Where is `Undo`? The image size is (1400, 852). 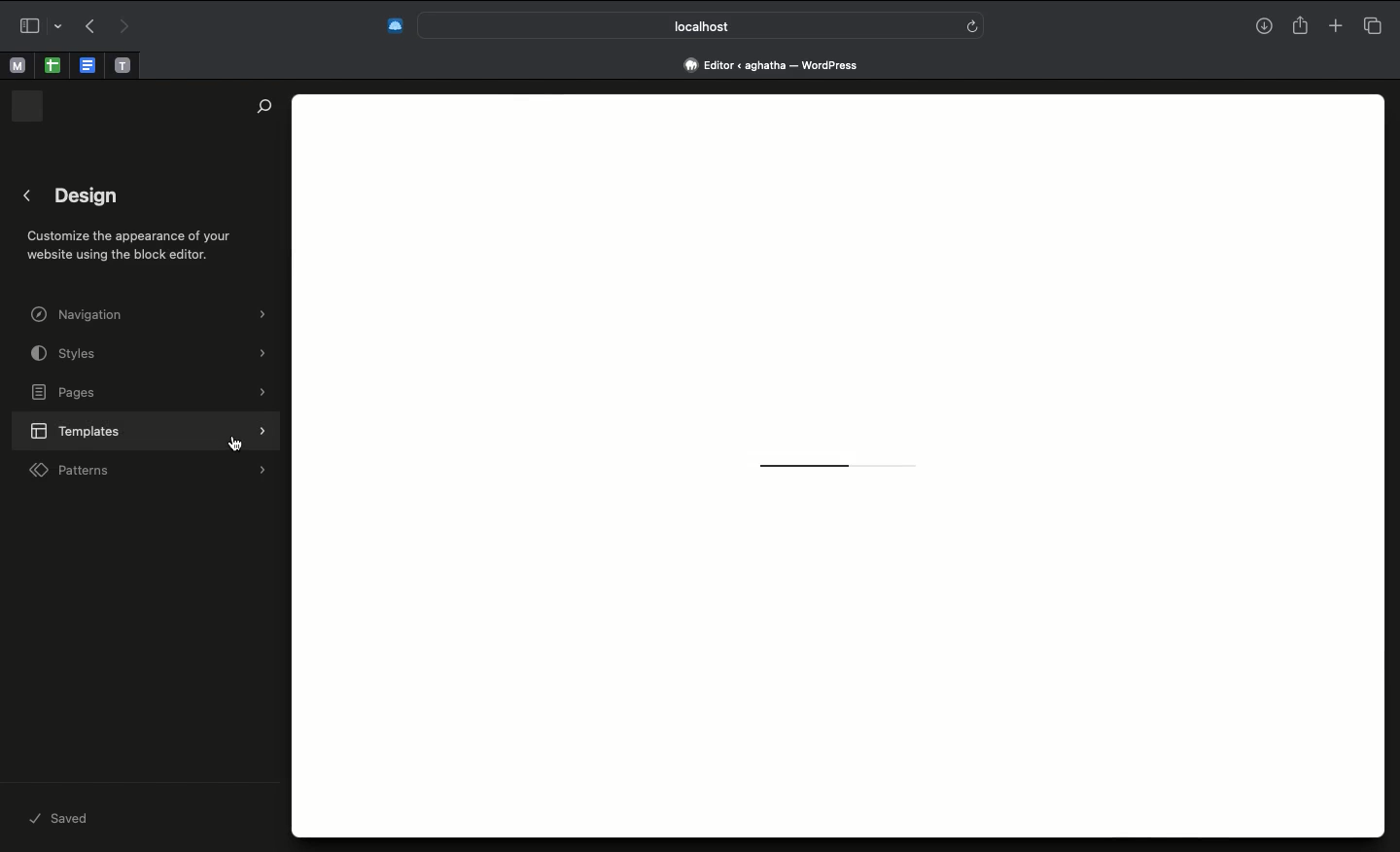 Undo is located at coordinates (90, 25).